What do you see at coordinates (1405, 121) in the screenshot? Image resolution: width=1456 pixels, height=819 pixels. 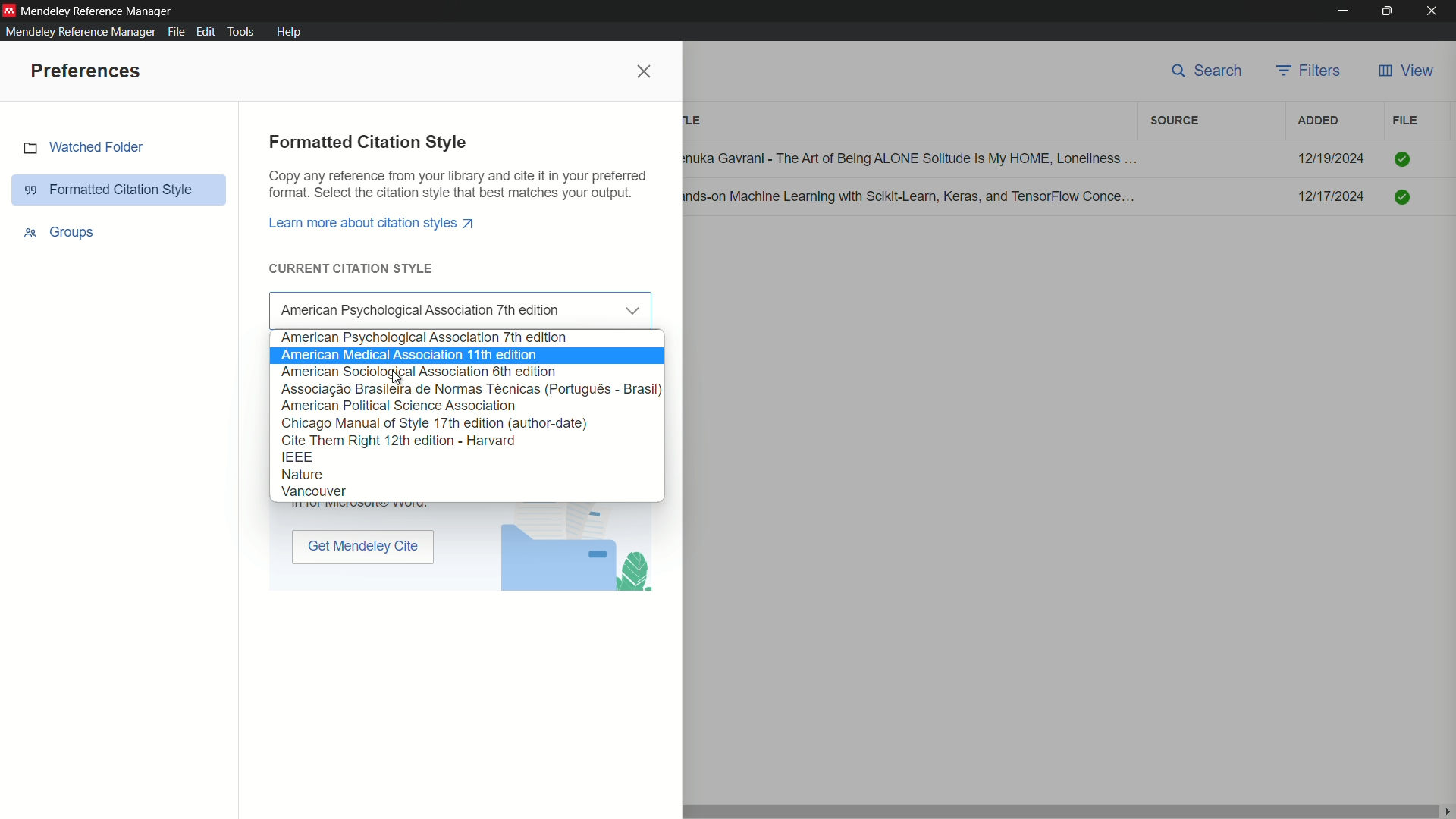 I see `file` at bounding box center [1405, 121].